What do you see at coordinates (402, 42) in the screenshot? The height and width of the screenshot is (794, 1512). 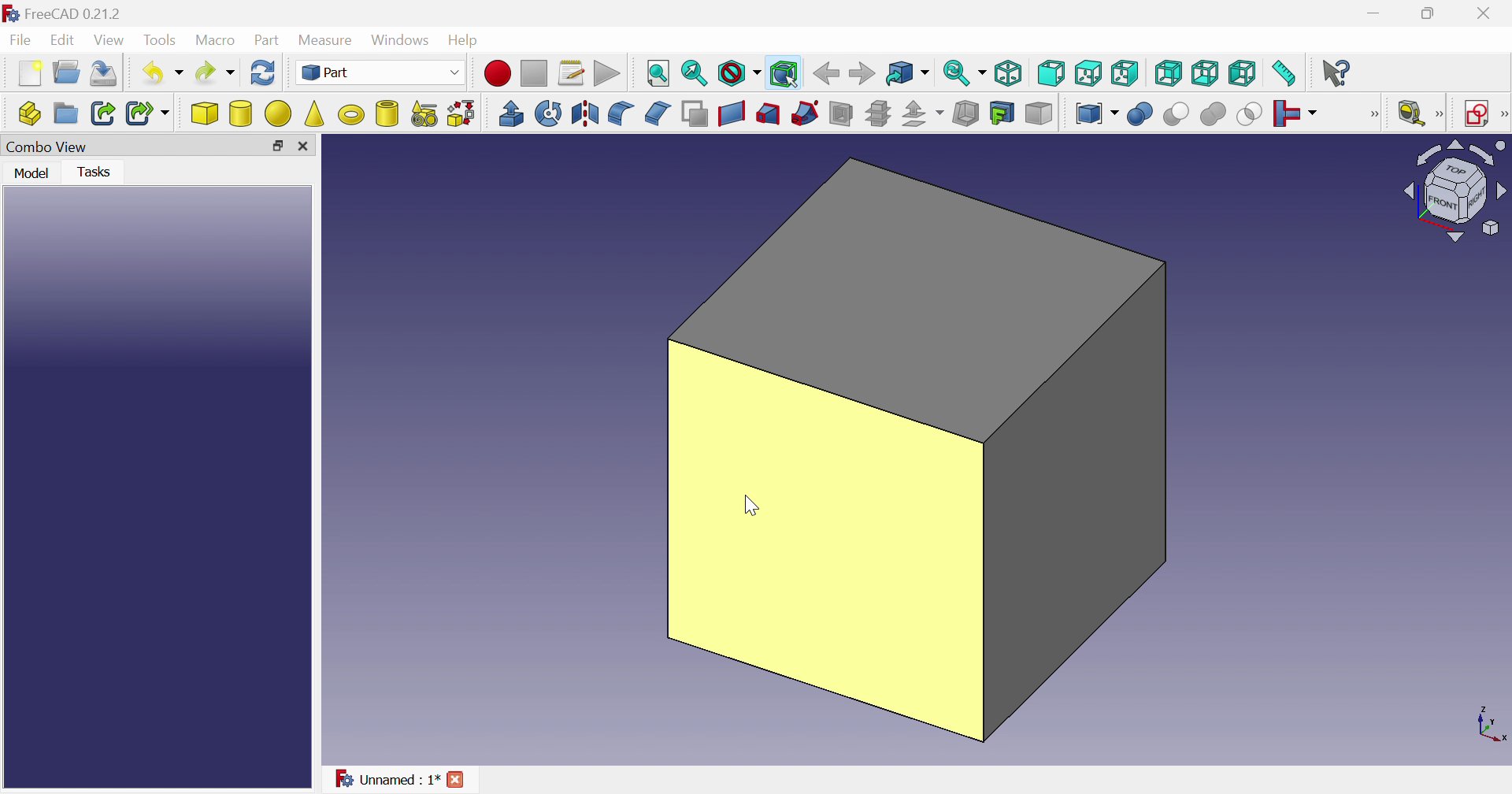 I see `Windows` at bounding box center [402, 42].